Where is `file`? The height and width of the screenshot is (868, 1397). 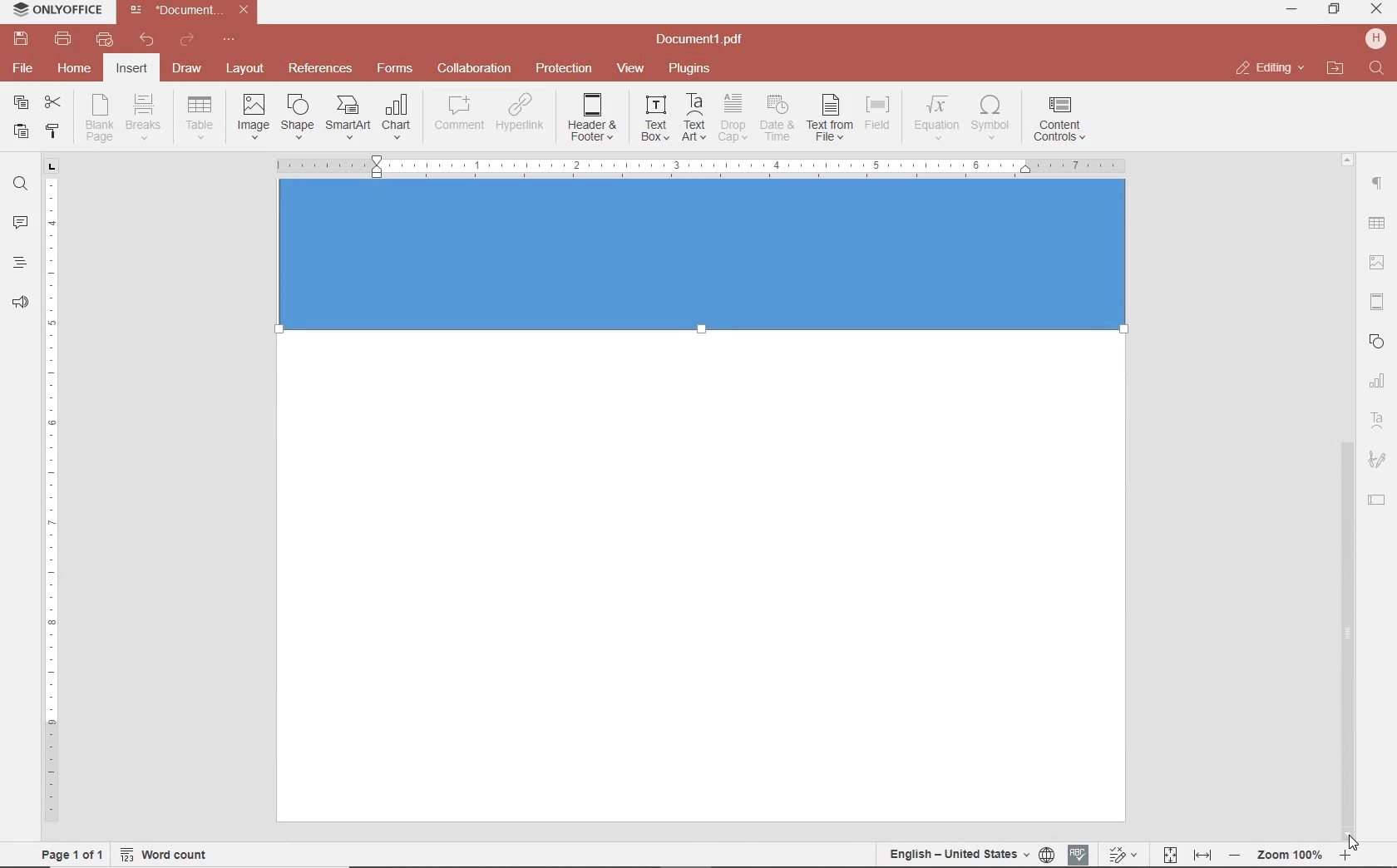
file is located at coordinates (24, 68).